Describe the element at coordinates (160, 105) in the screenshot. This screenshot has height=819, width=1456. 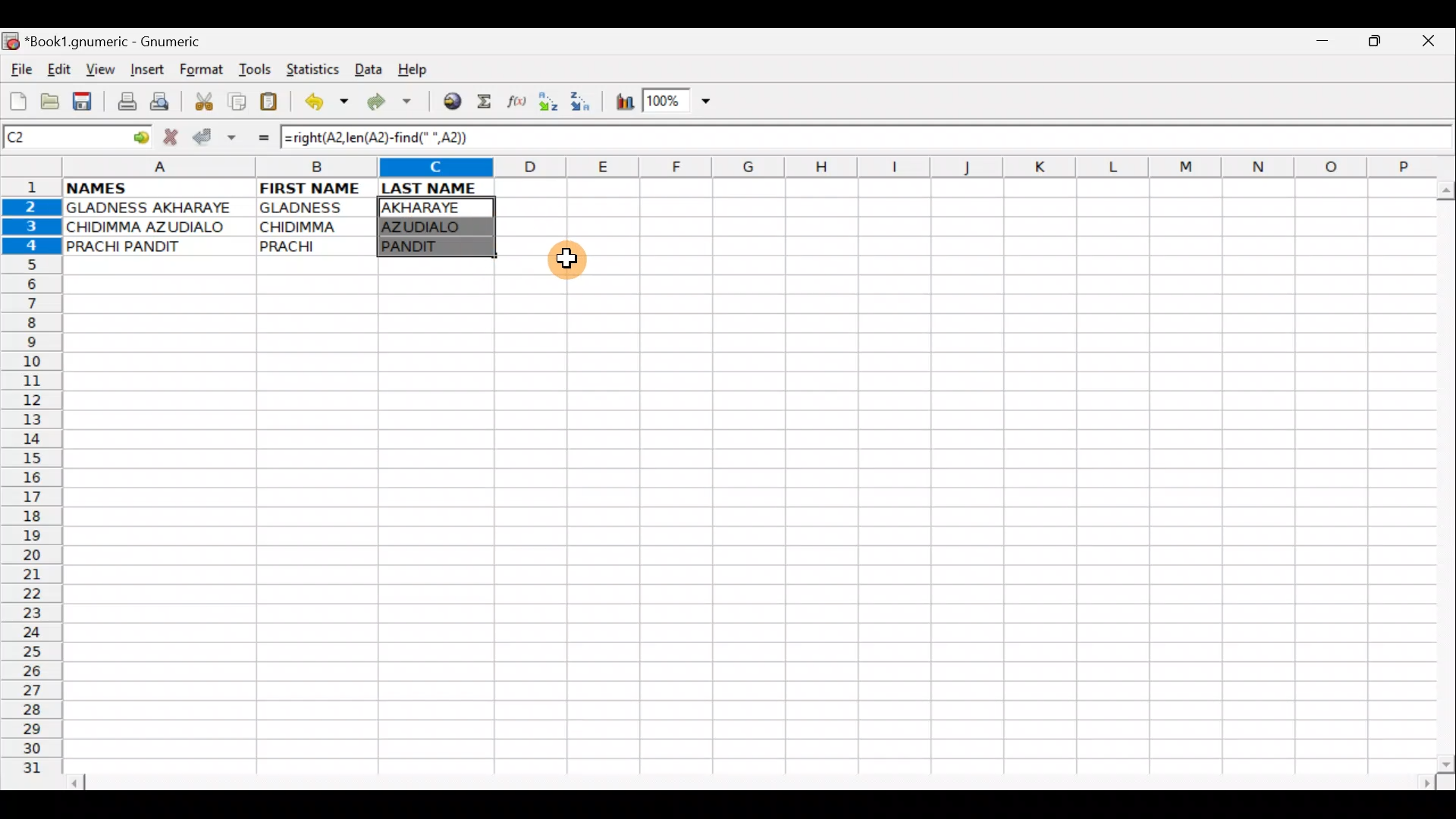
I see `Print preview` at that location.